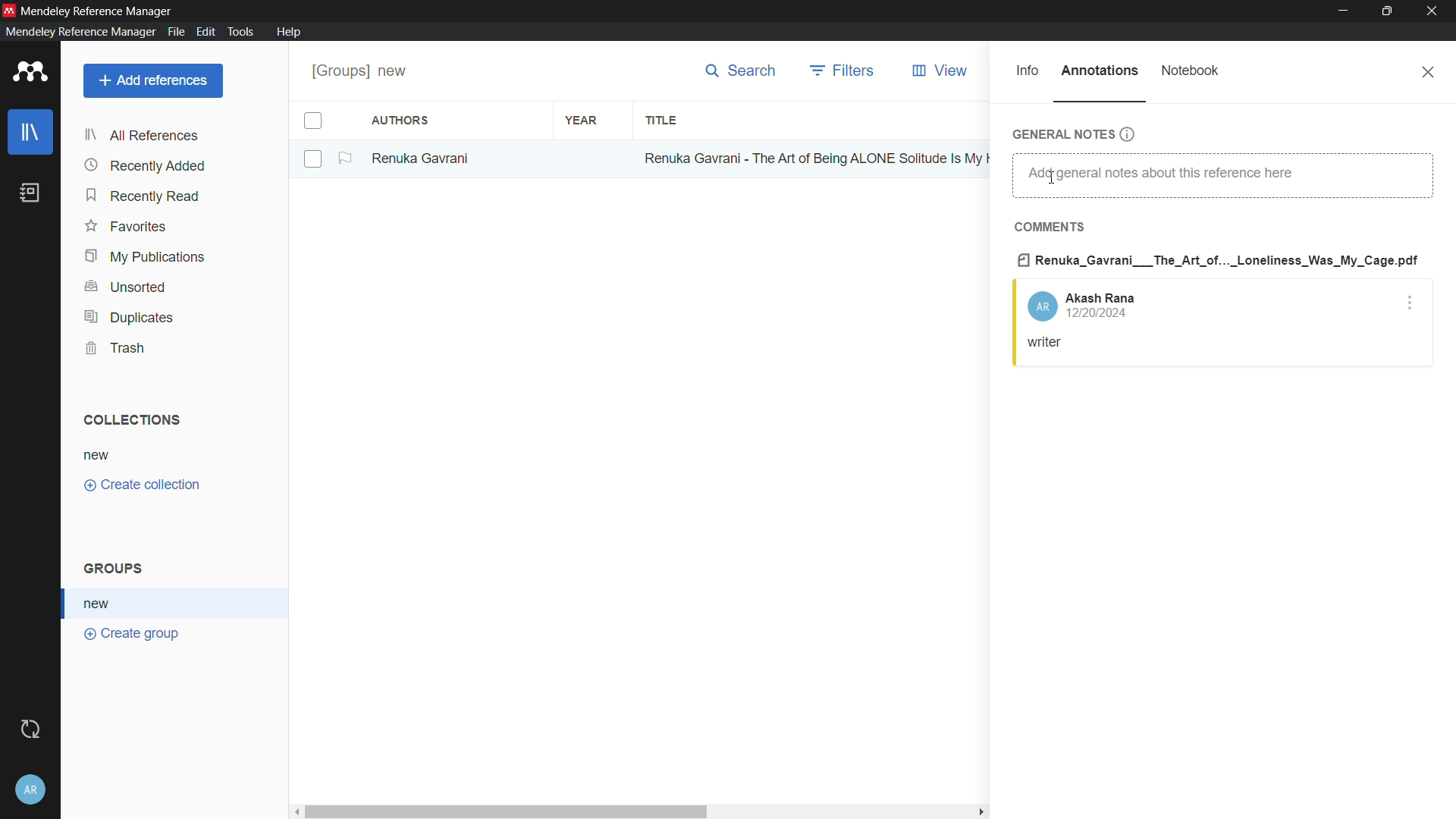  Describe the element at coordinates (146, 166) in the screenshot. I see `recently added` at that location.